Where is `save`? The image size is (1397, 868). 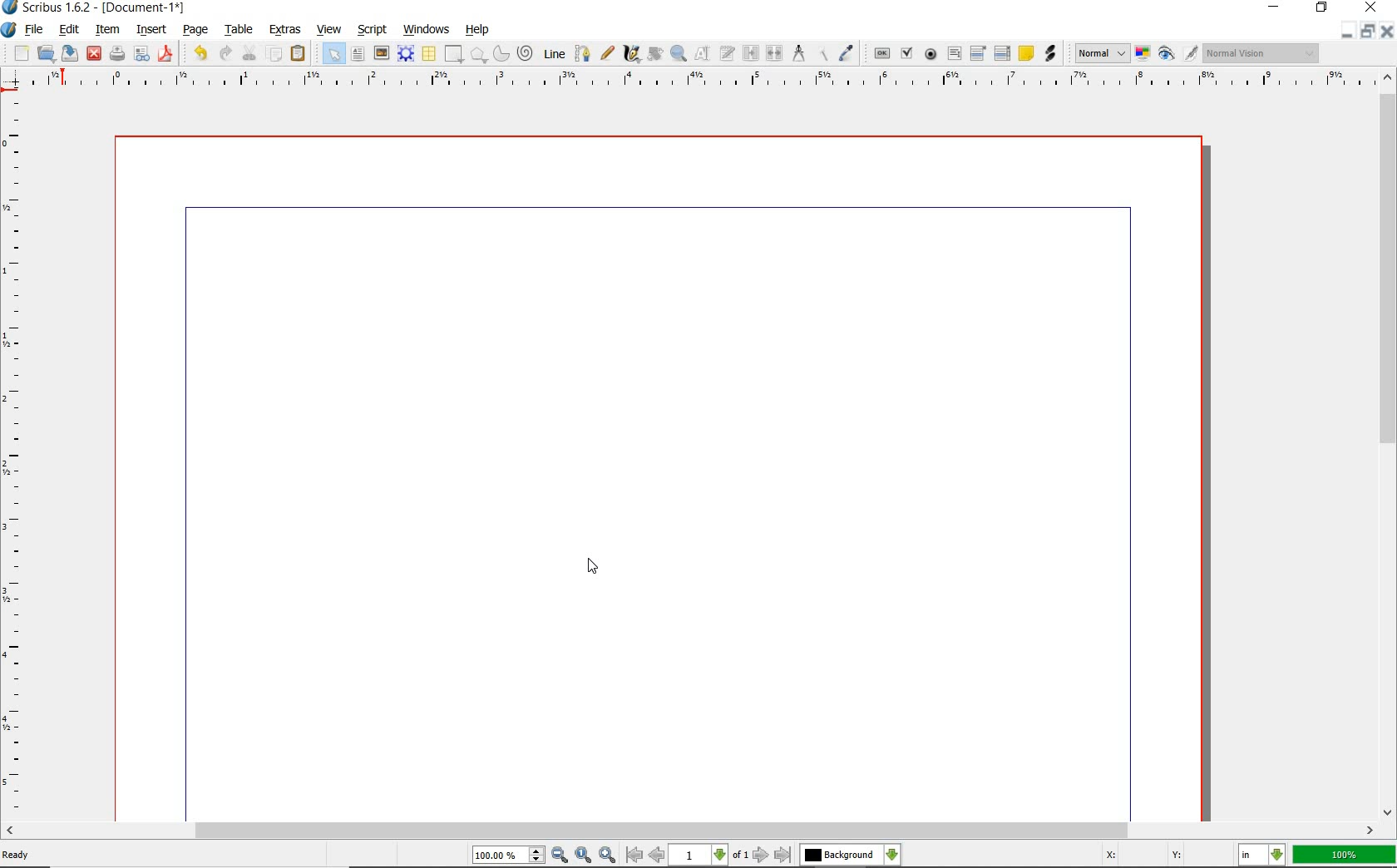 save is located at coordinates (71, 53).